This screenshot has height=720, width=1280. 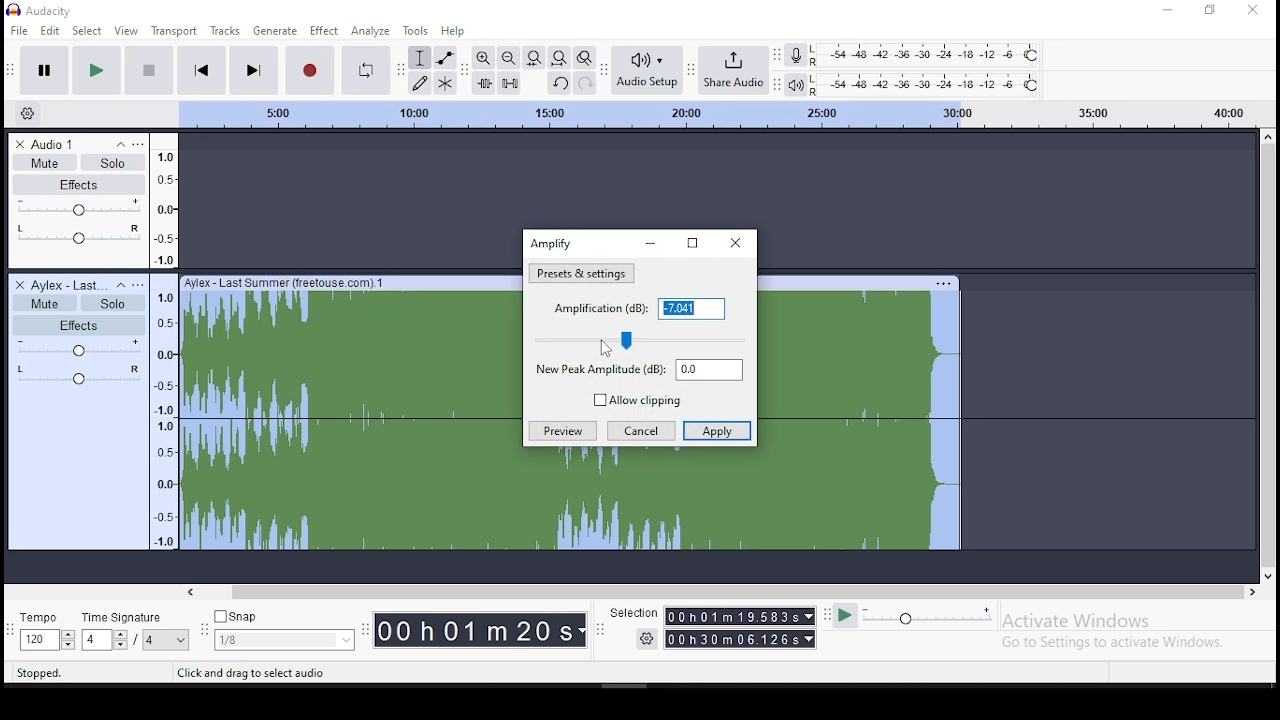 What do you see at coordinates (79, 185) in the screenshot?
I see `effects` at bounding box center [79, 185].